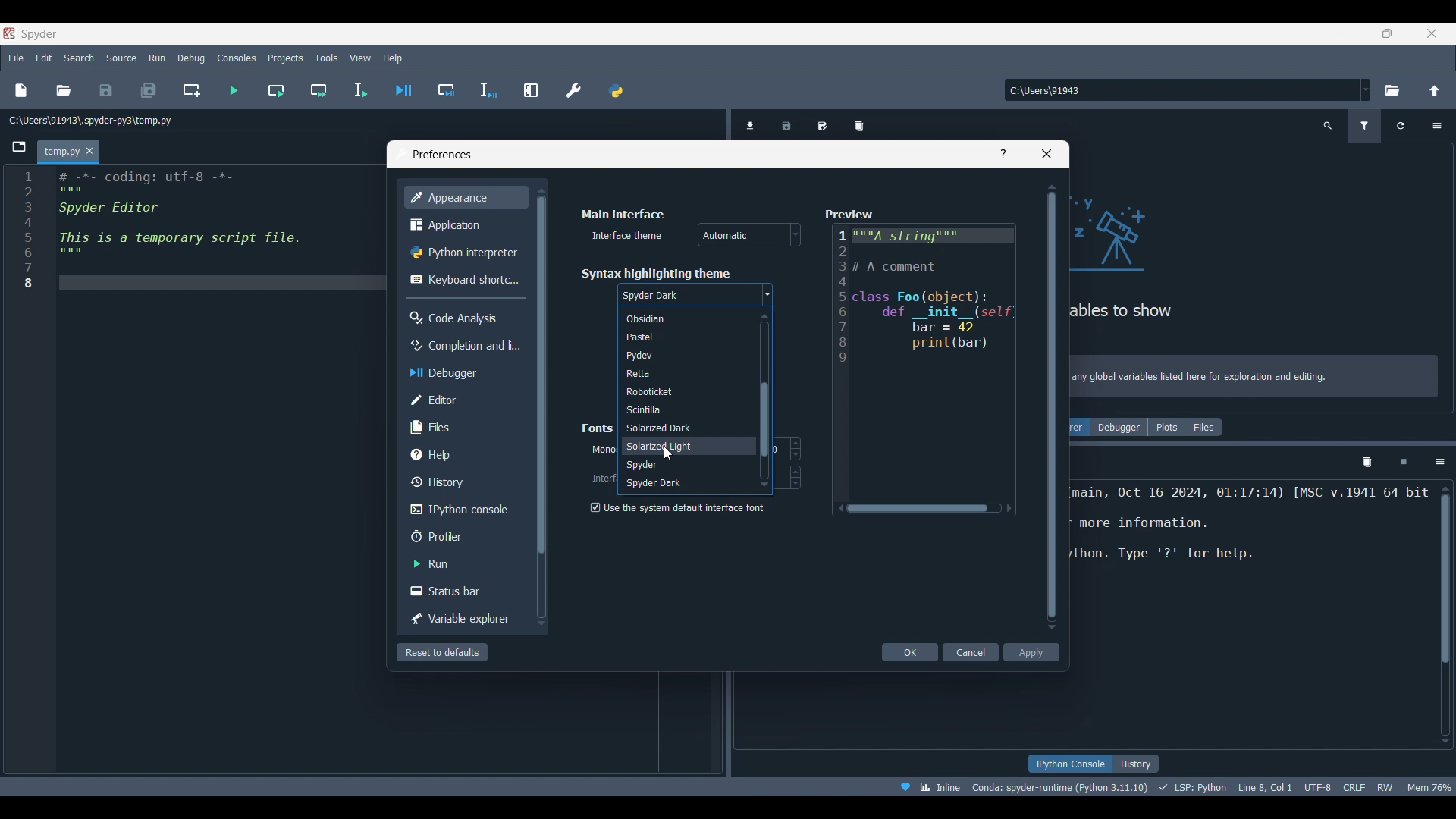  Describe the element at coordinates (446, 90) in the screenshot. I see `Debug cell` at that location.